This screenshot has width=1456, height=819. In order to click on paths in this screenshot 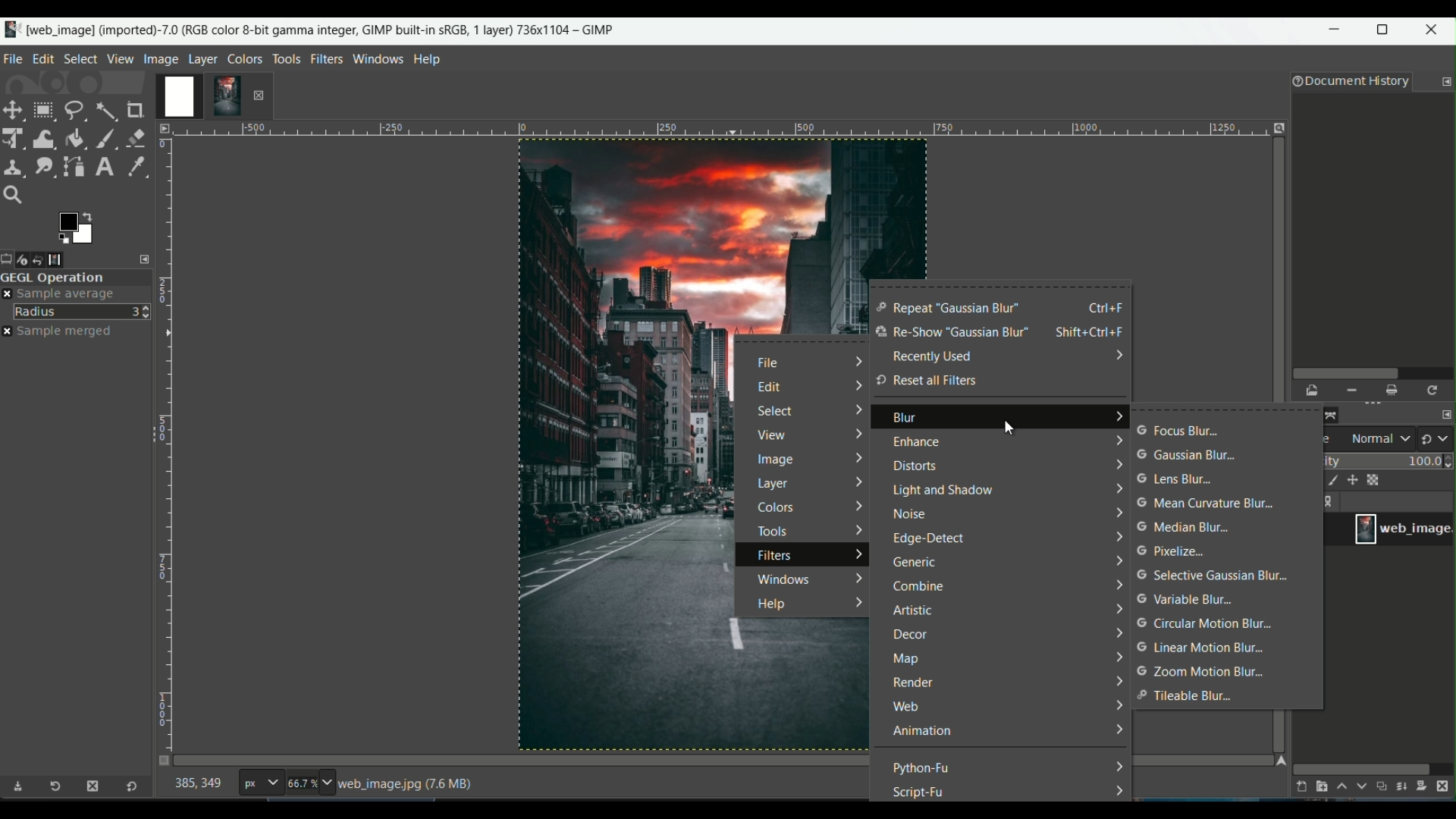, I will do `click(1336, 413)`.